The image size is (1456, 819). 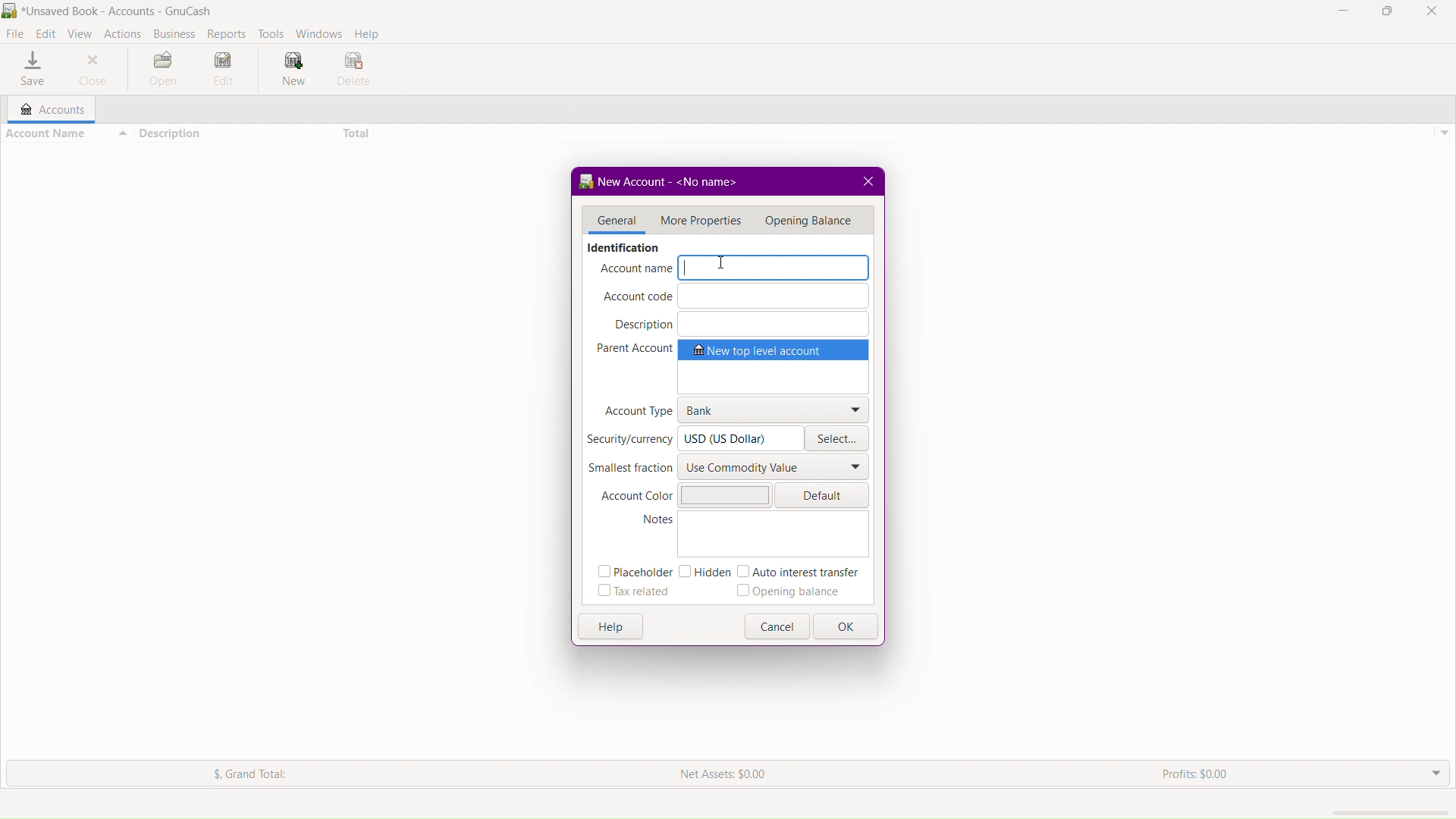 What do you see at coordinates (802, 572) in the screenshot?
I see `Auto interest transfer` at bounding box center [802, 572].